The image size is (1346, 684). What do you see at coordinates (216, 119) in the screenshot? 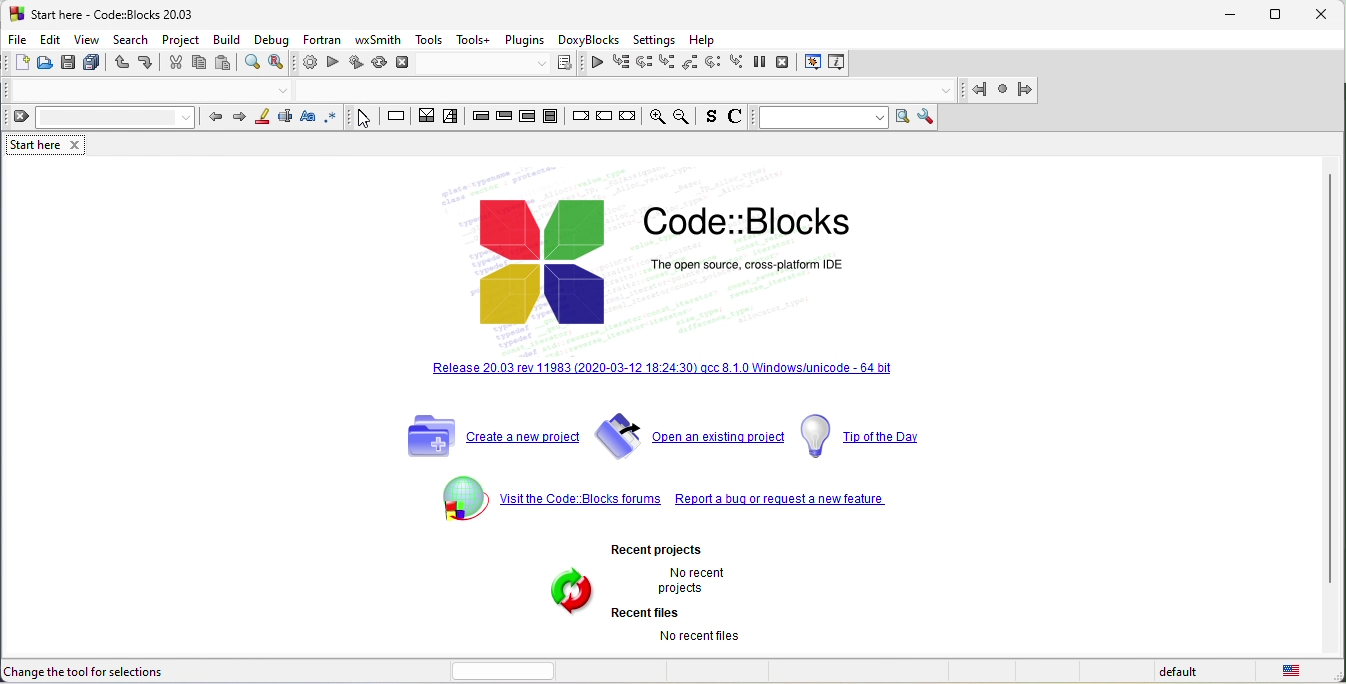
I see `prev` at bounding box center [216, 119].